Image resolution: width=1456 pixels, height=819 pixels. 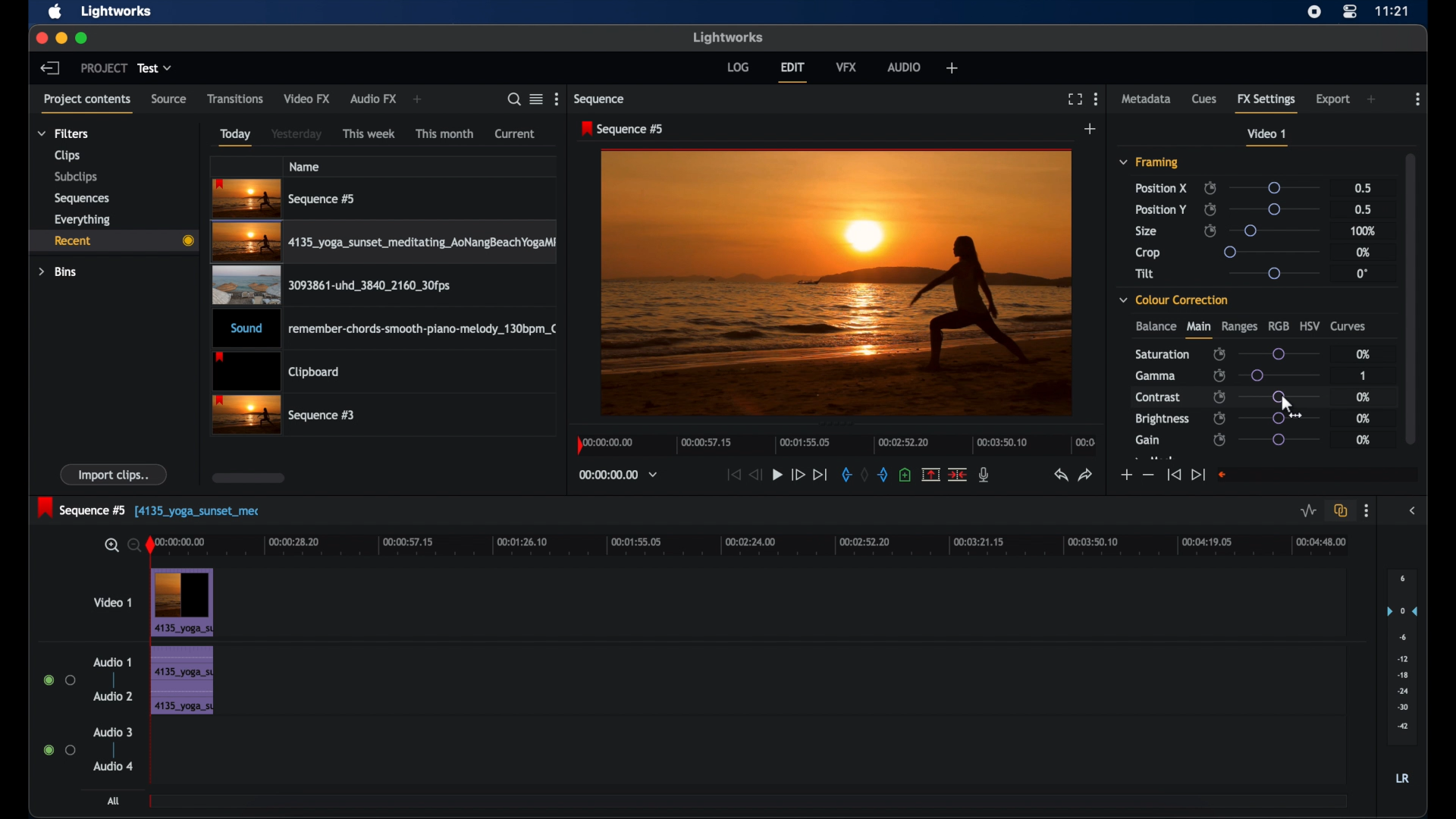 What do you see at coordinates (760, 544) in the screenshot?
I see `timeline scale` at bounding box center [760, 544].